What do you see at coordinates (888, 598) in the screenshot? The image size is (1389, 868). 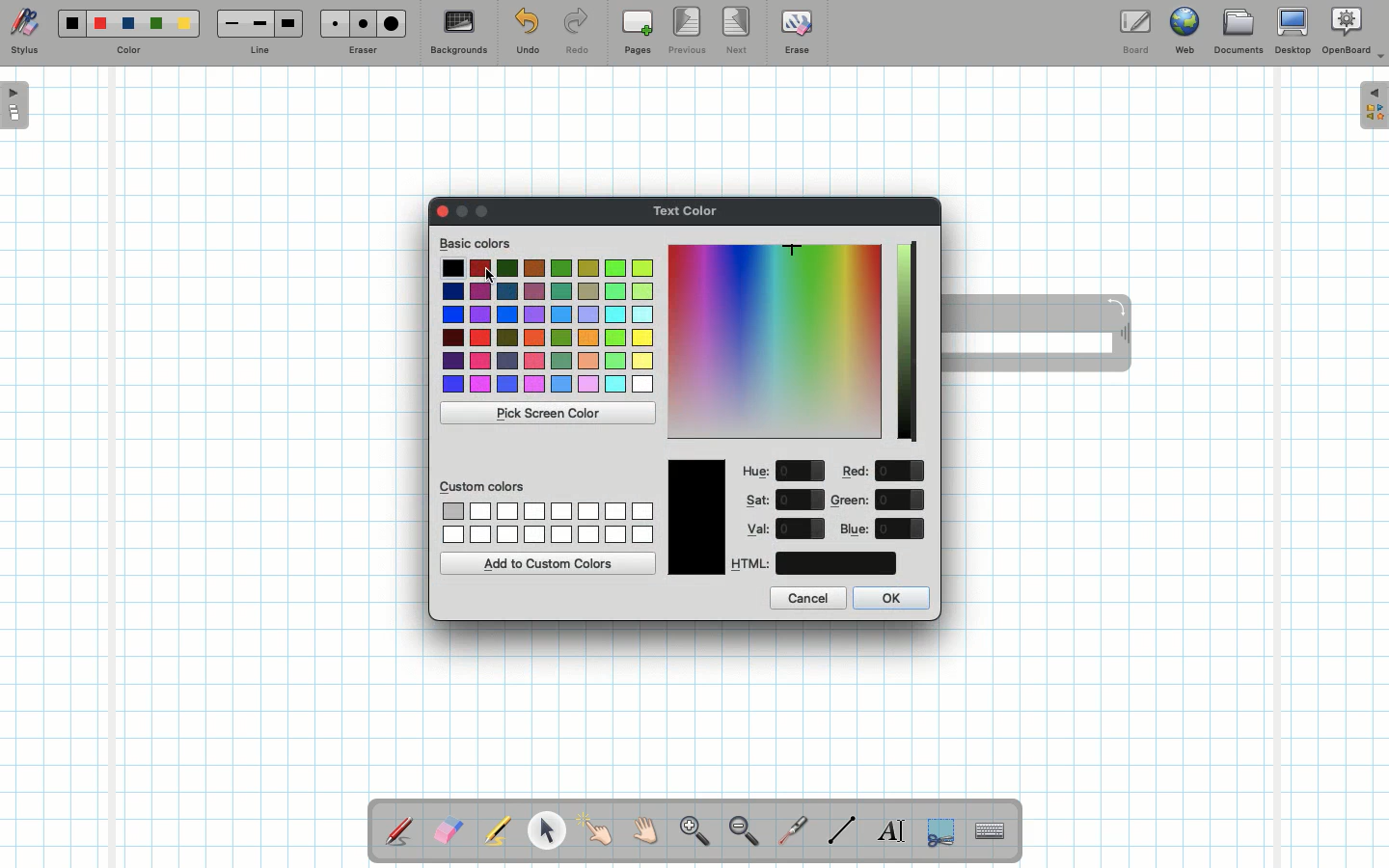 I see `OK` at bounding box center [888, 598].